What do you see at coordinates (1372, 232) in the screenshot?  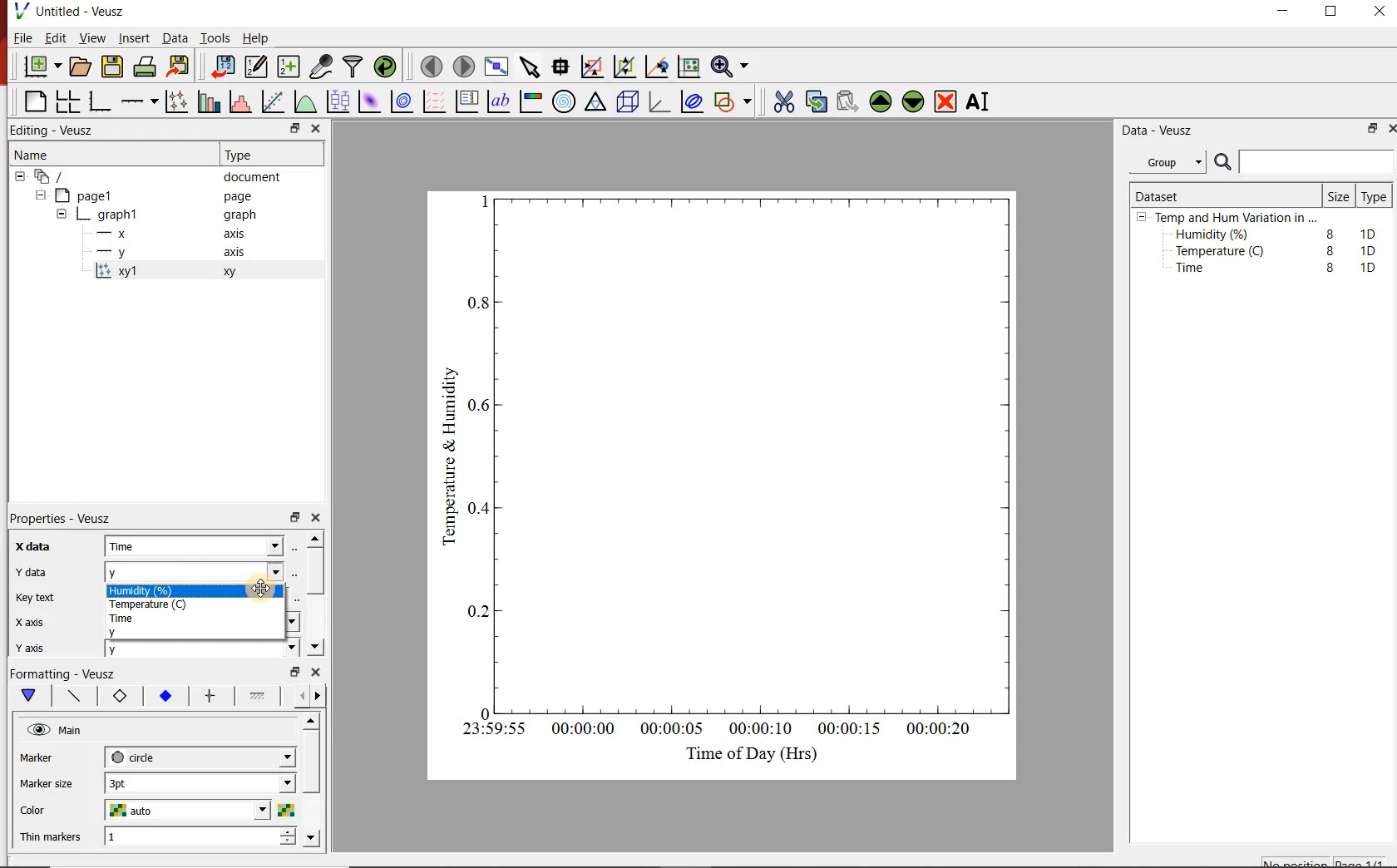 I see `1D` at bounding box center [1372, 232].